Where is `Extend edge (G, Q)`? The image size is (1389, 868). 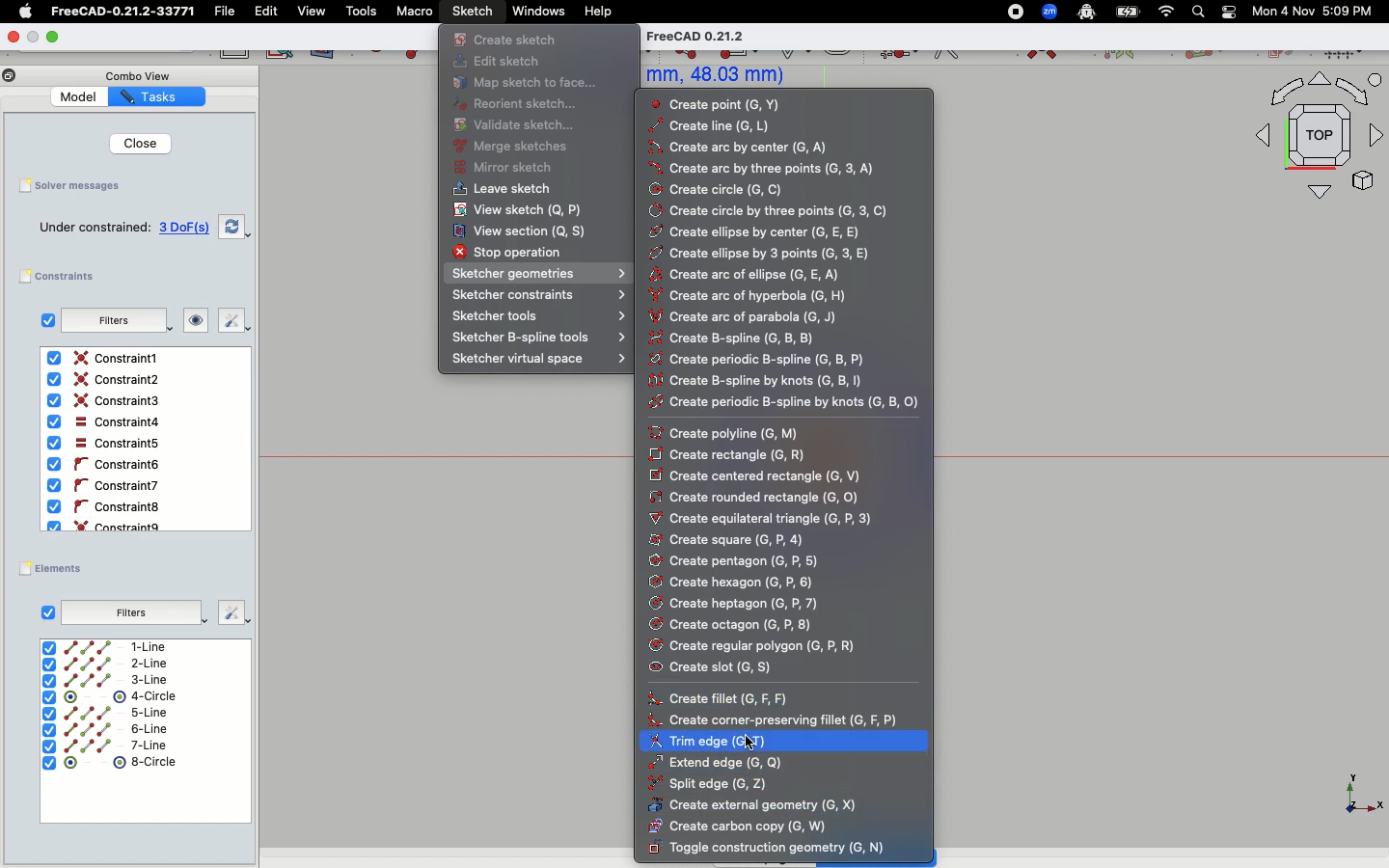 Extend edge (G, Q) is located at coordinates (718, 763).